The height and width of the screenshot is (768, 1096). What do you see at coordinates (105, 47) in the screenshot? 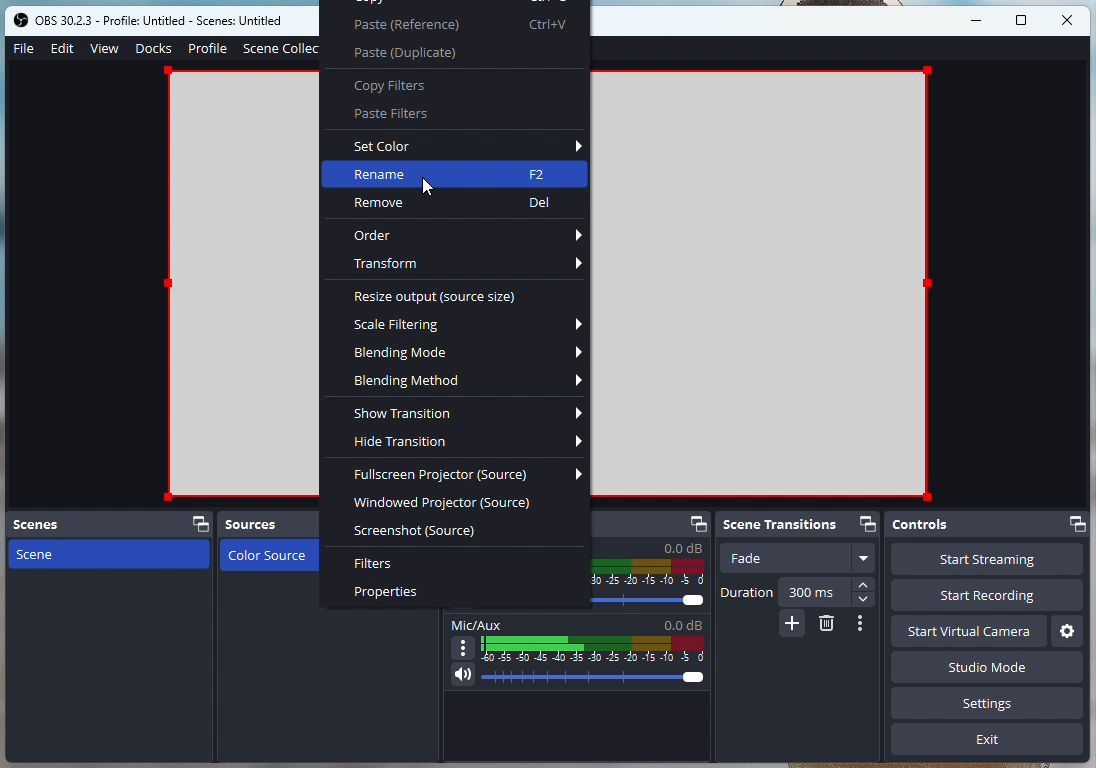
I see `View` at bounding box center [105, 47].